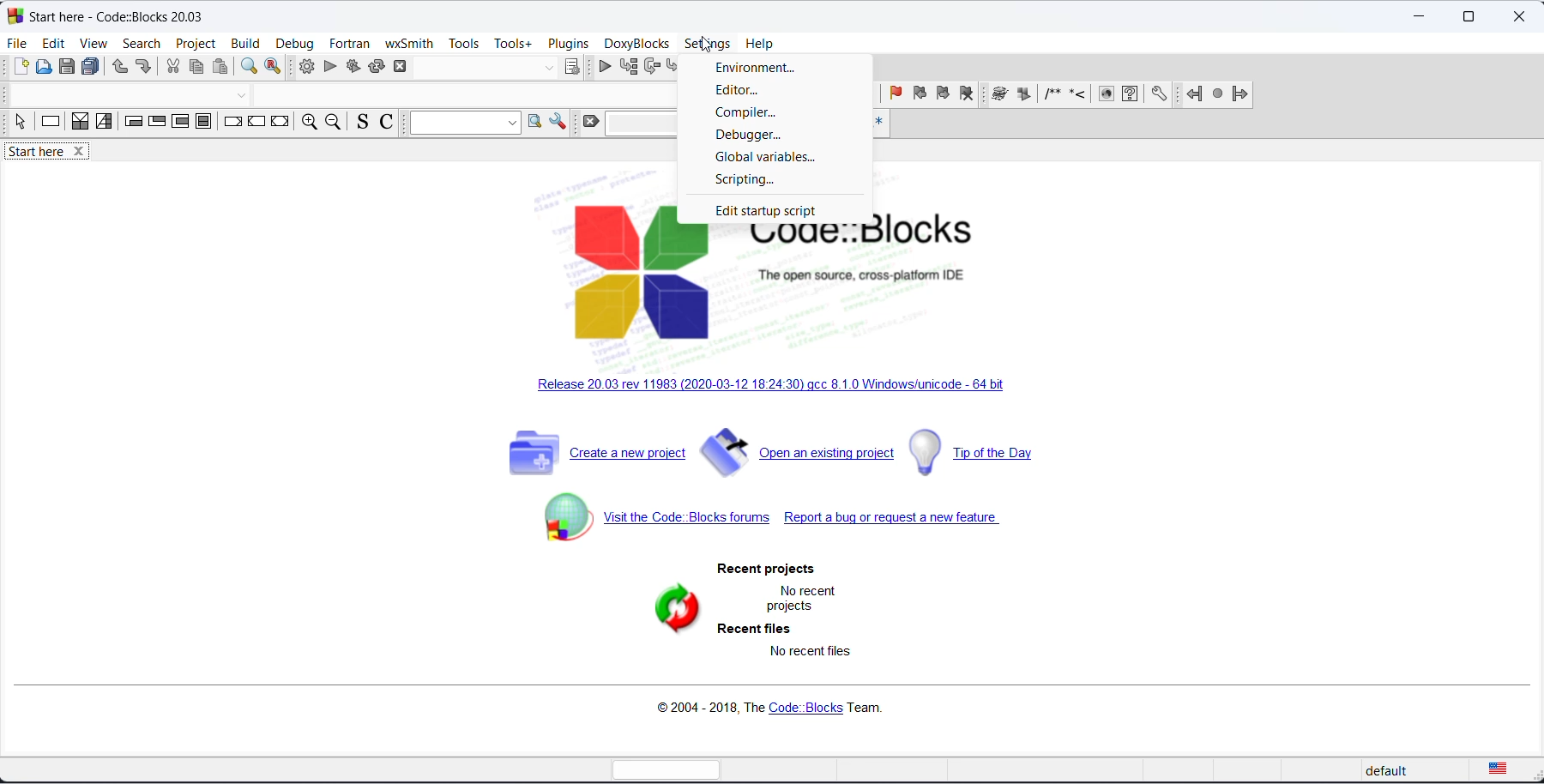  I want to click on counting loop, so click(181, 122).